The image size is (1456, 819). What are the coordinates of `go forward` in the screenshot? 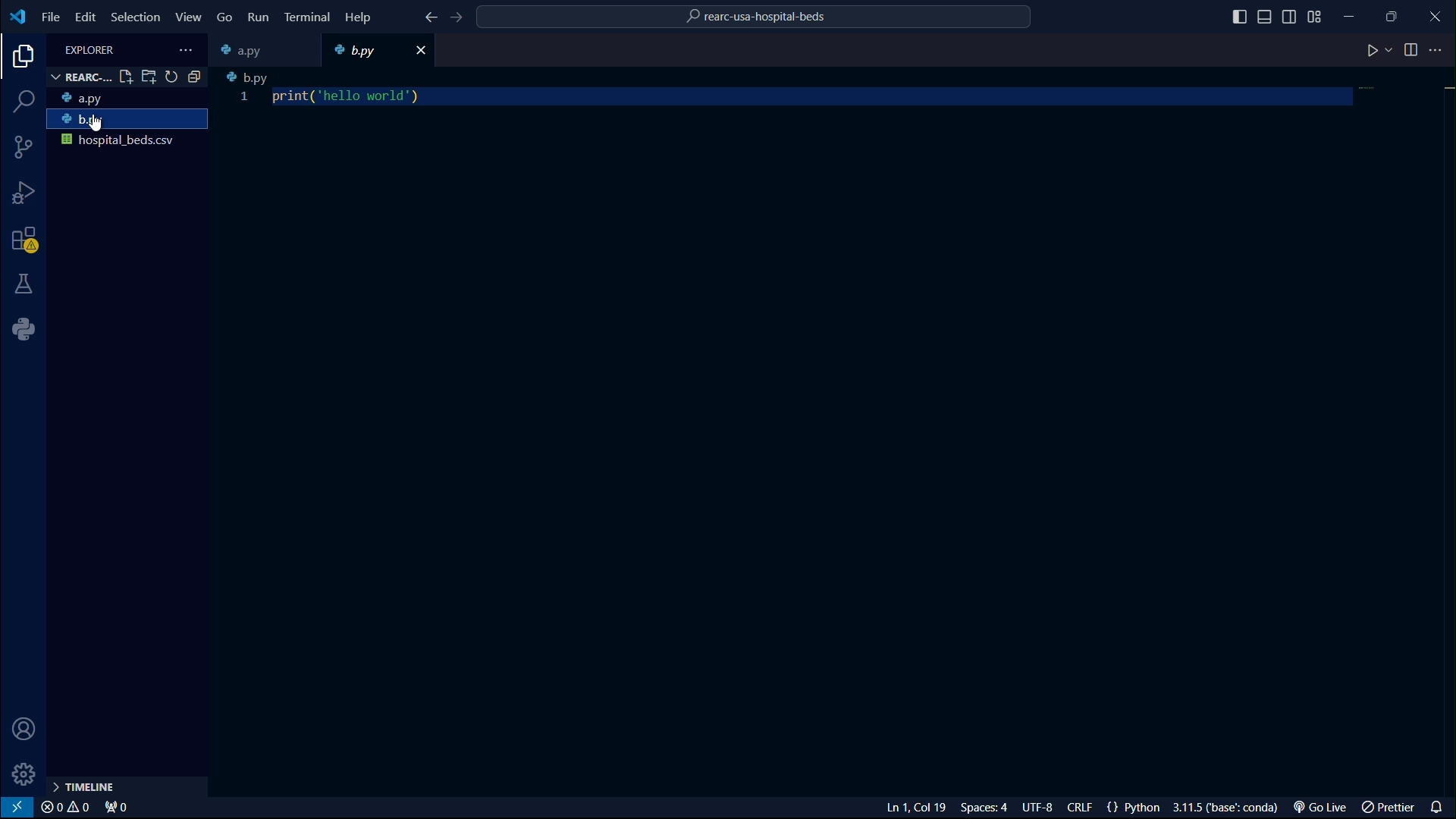 It's located at (461, 19).